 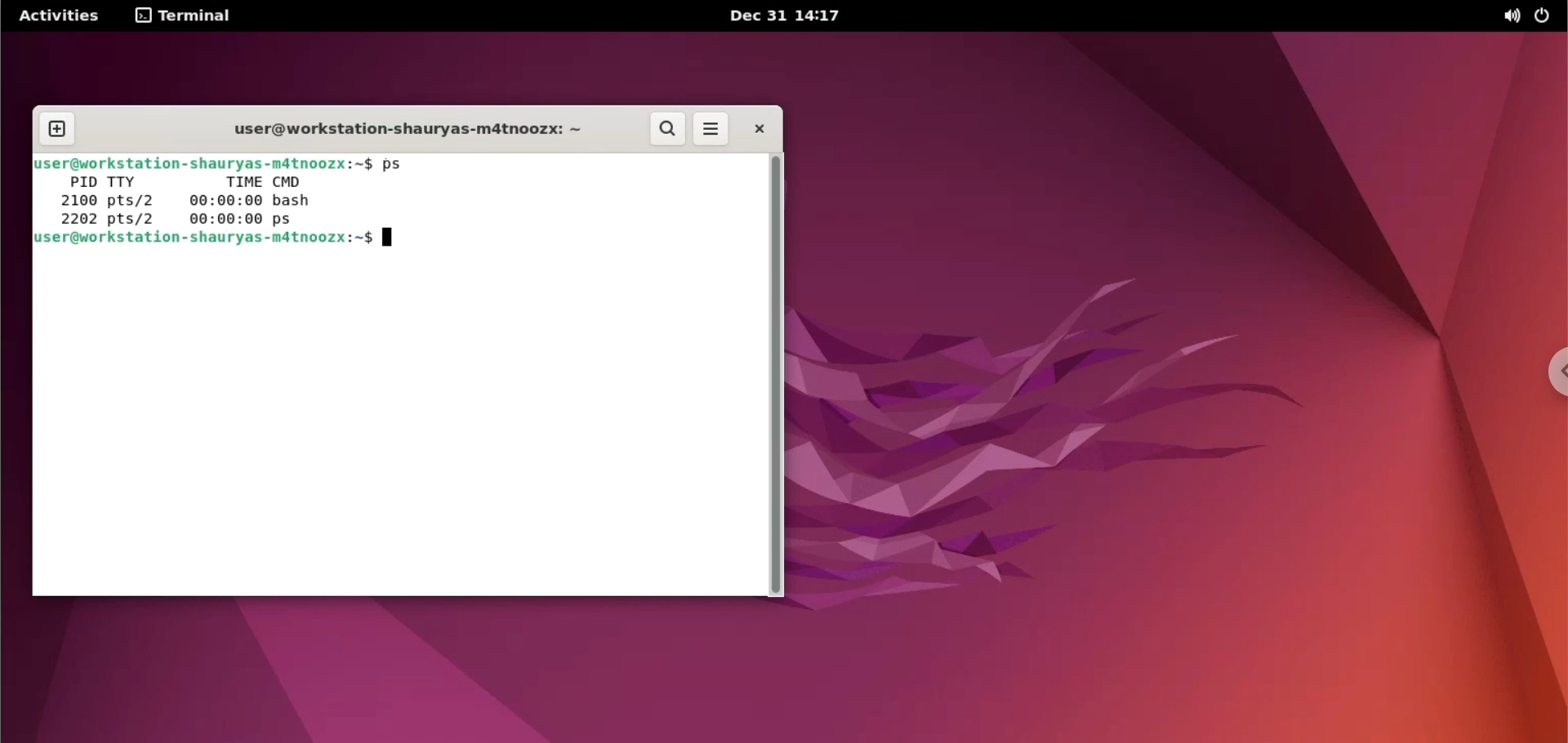 I want to click on close, so click(x=755, y=131).